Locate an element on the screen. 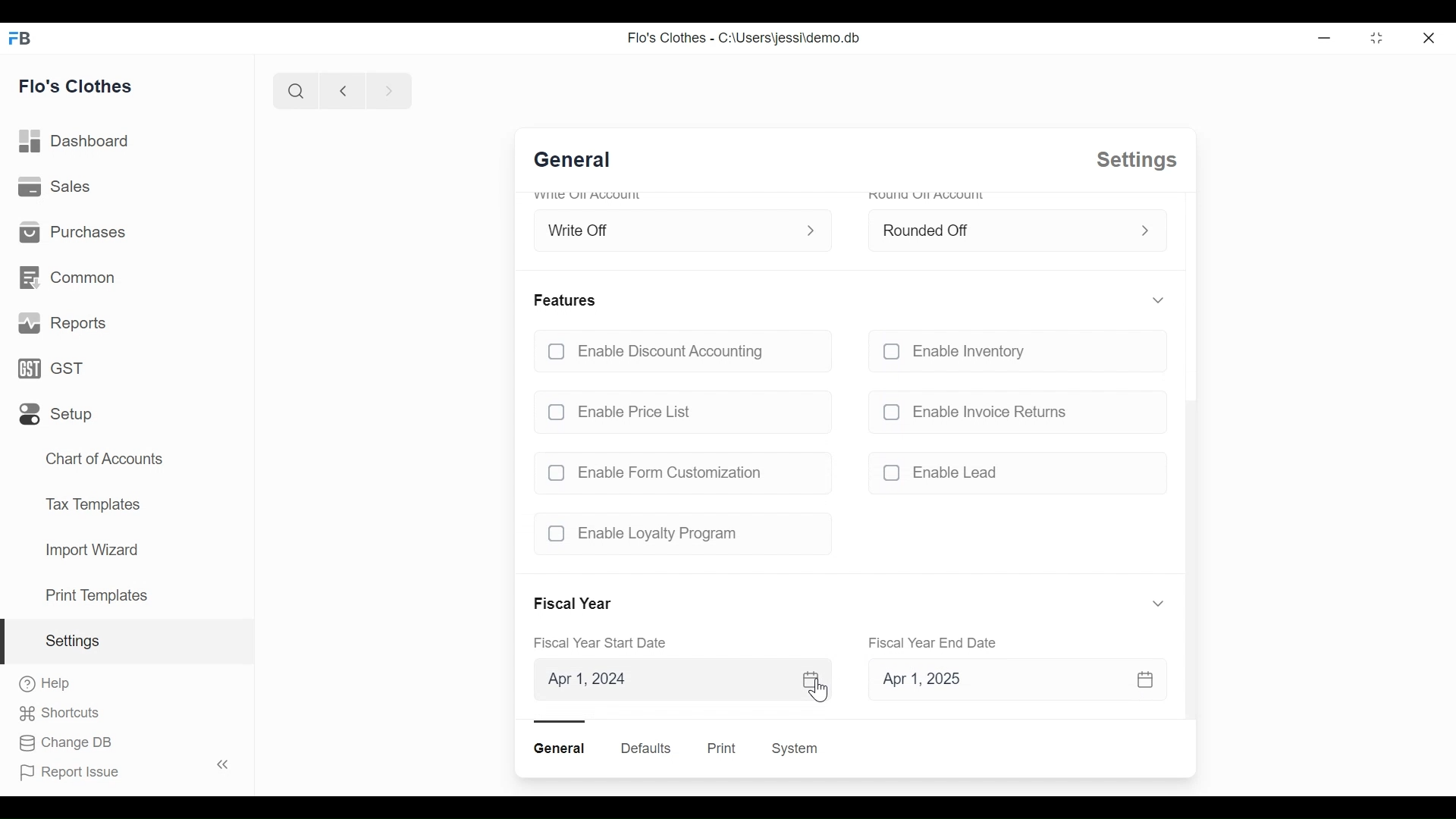 This screenshot has width=1456, height=819. Reports is located at coordinates (61, 323).